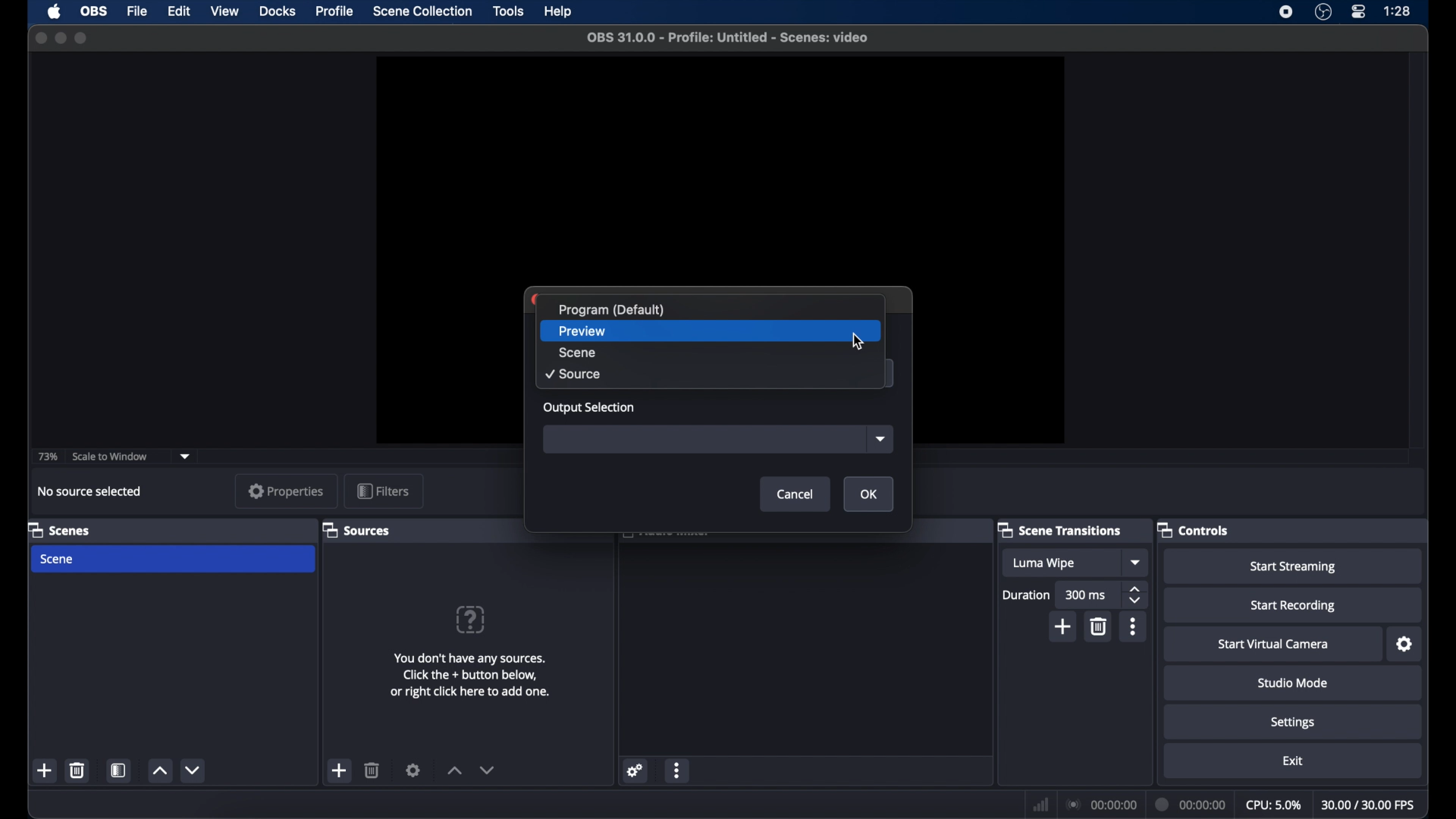 Image resolution: width=1456 pixels, height=819 pixels. What do you see at coordinates (194, 770) in the screenshot?
I see `decrement` at bounding box center [194, 770].